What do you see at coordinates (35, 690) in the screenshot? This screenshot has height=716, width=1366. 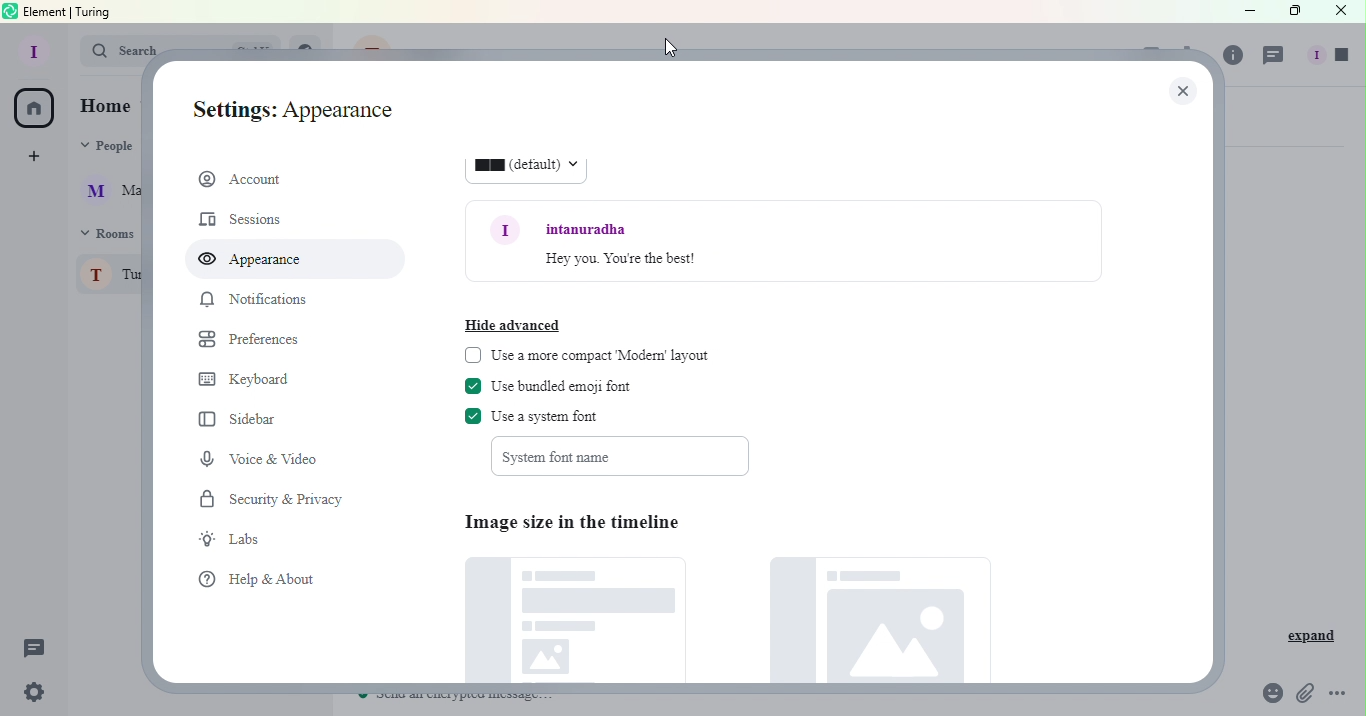 I see `Settings` at bounding box center [35, 690].